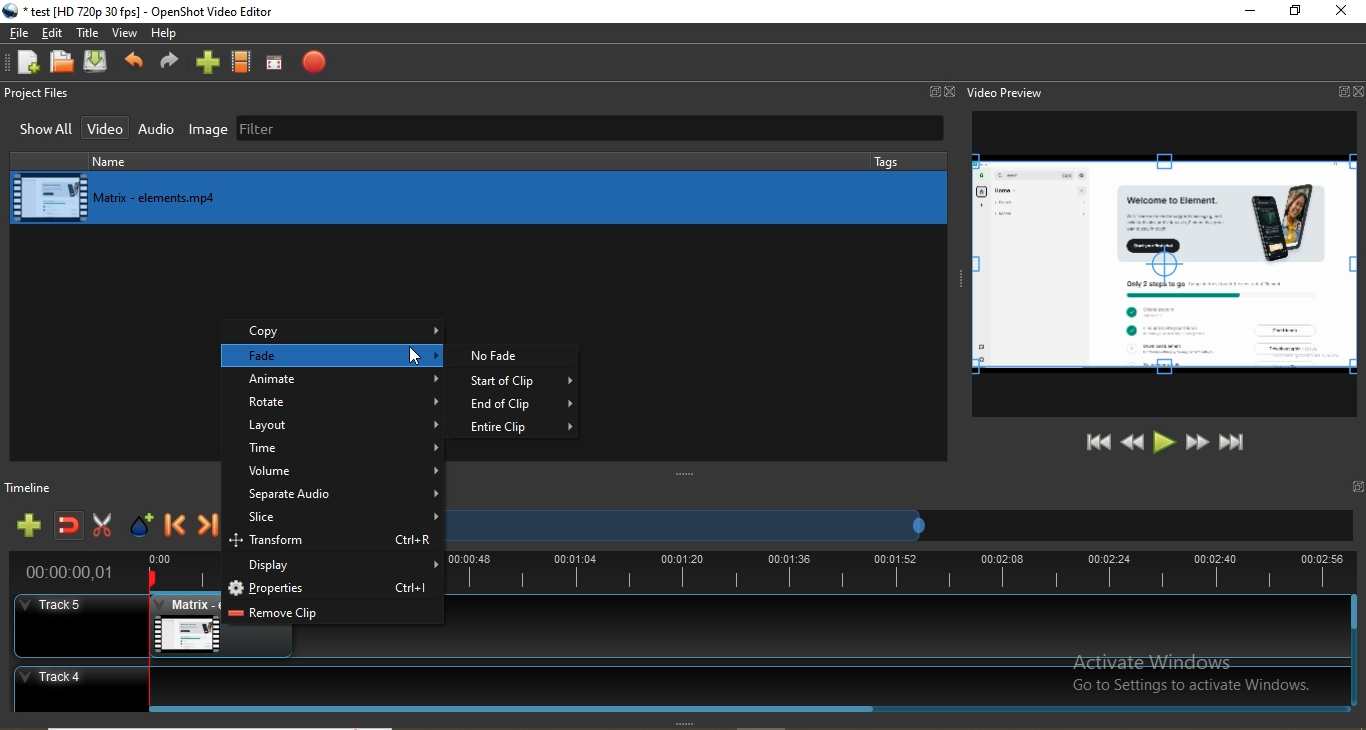 This screenshot has height=730, width=1366. I want to click on Restore, so click(1293, 11).